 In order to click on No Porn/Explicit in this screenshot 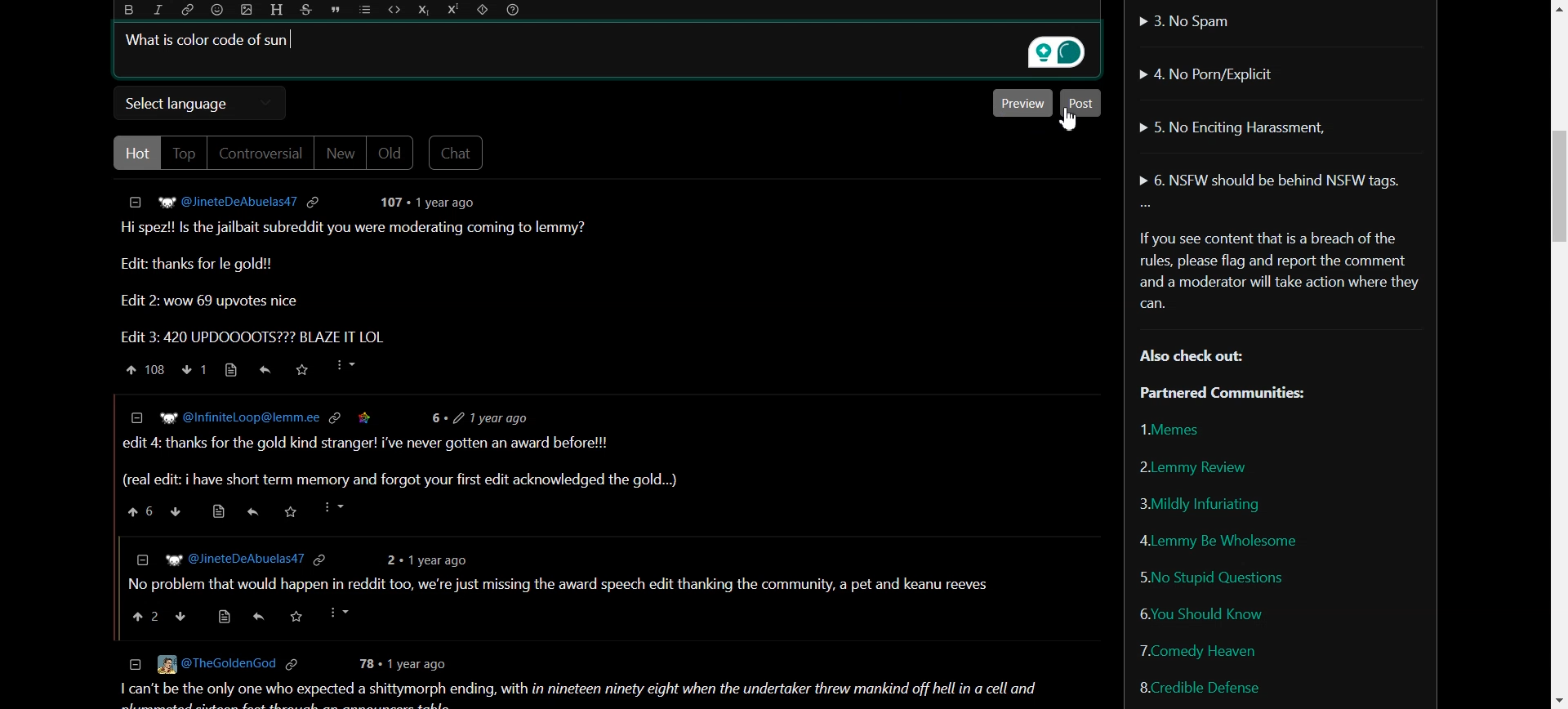, I will do `click(1212, 73)`.